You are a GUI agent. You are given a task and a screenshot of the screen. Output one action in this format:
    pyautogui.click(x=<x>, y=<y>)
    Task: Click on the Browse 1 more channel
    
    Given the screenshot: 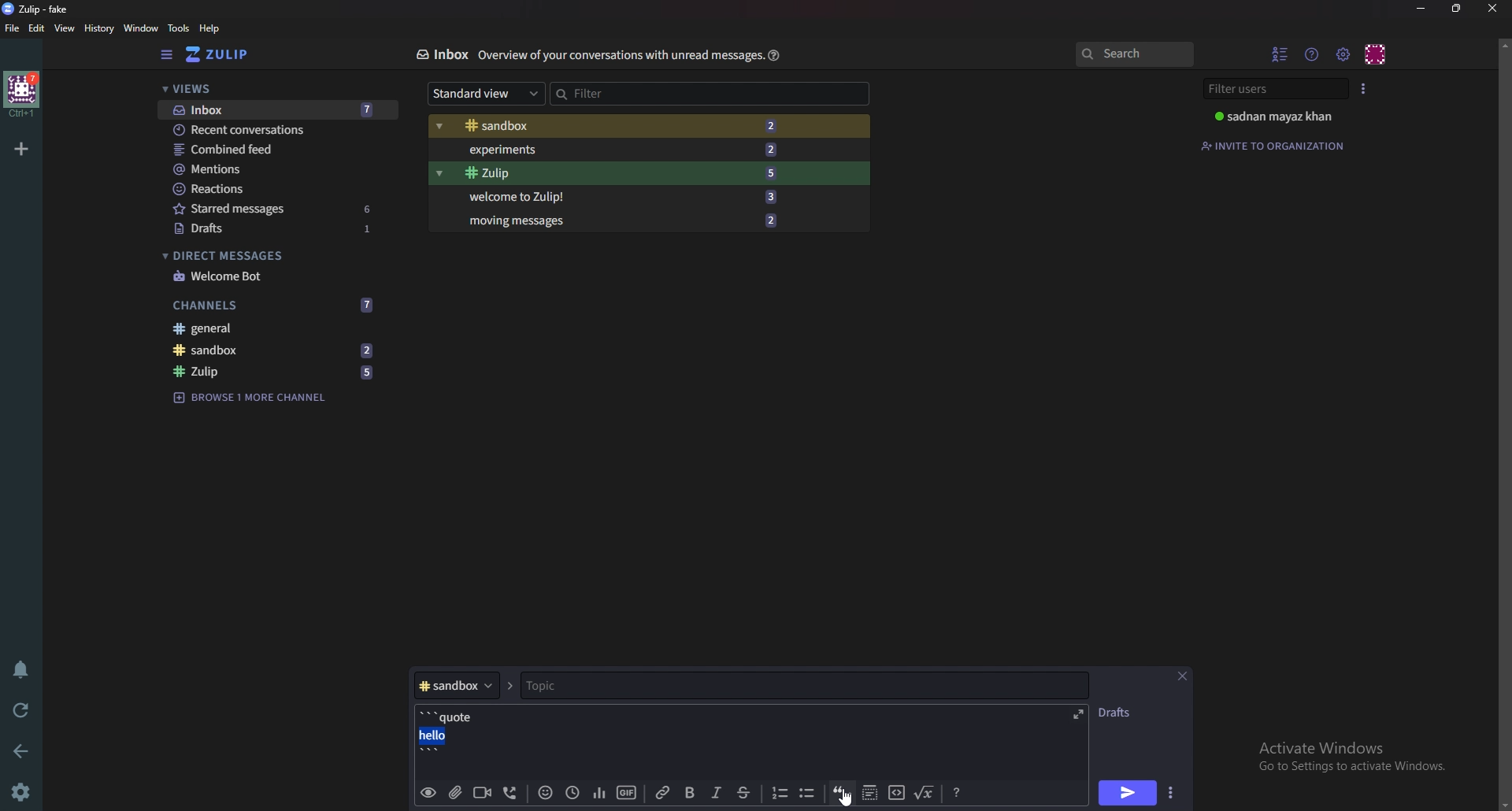 What is the action you would take?
    pyautogui.click(x=257, y=398)
    